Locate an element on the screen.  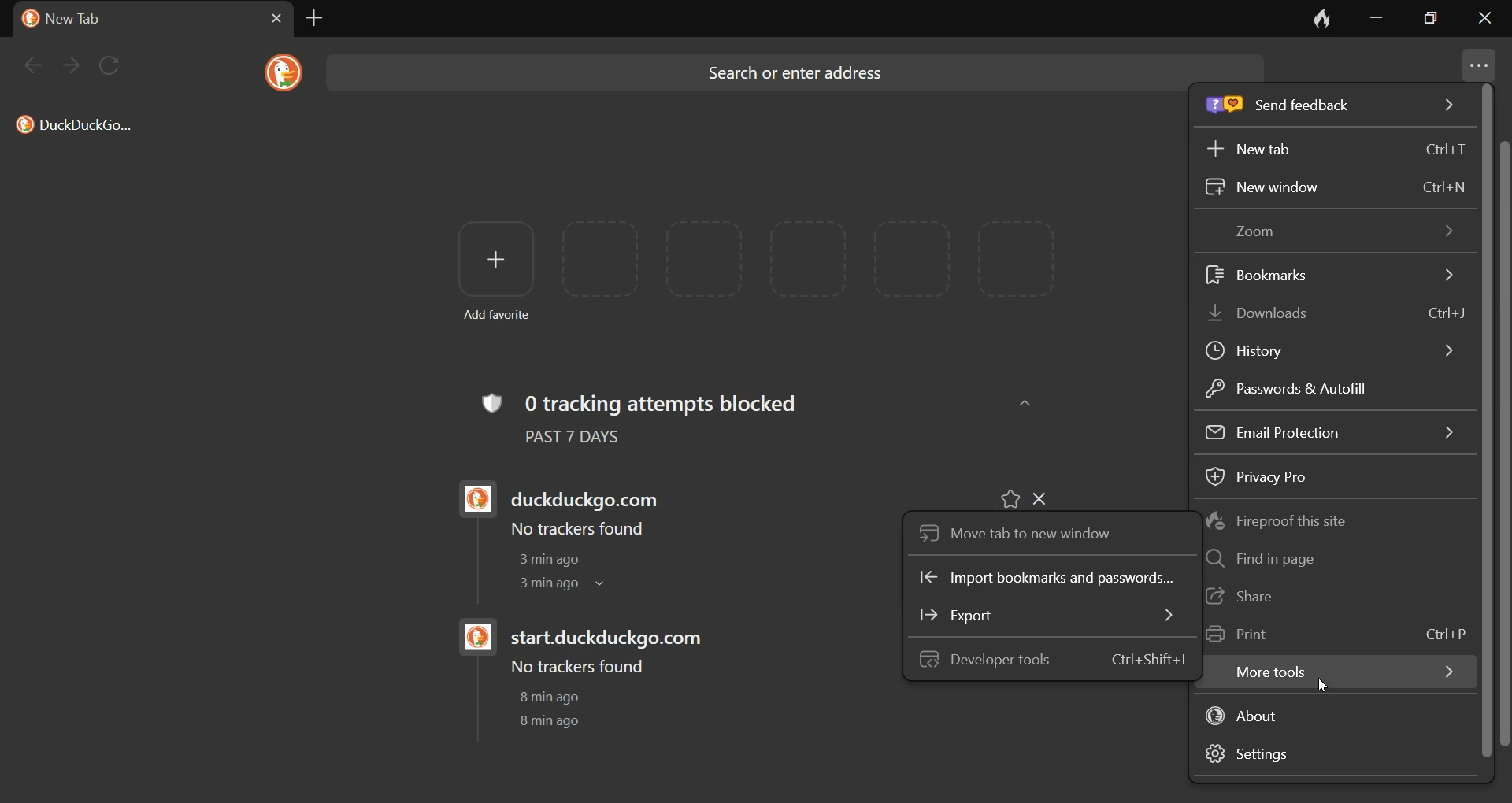
Print is located at coordinates (1331, 635).